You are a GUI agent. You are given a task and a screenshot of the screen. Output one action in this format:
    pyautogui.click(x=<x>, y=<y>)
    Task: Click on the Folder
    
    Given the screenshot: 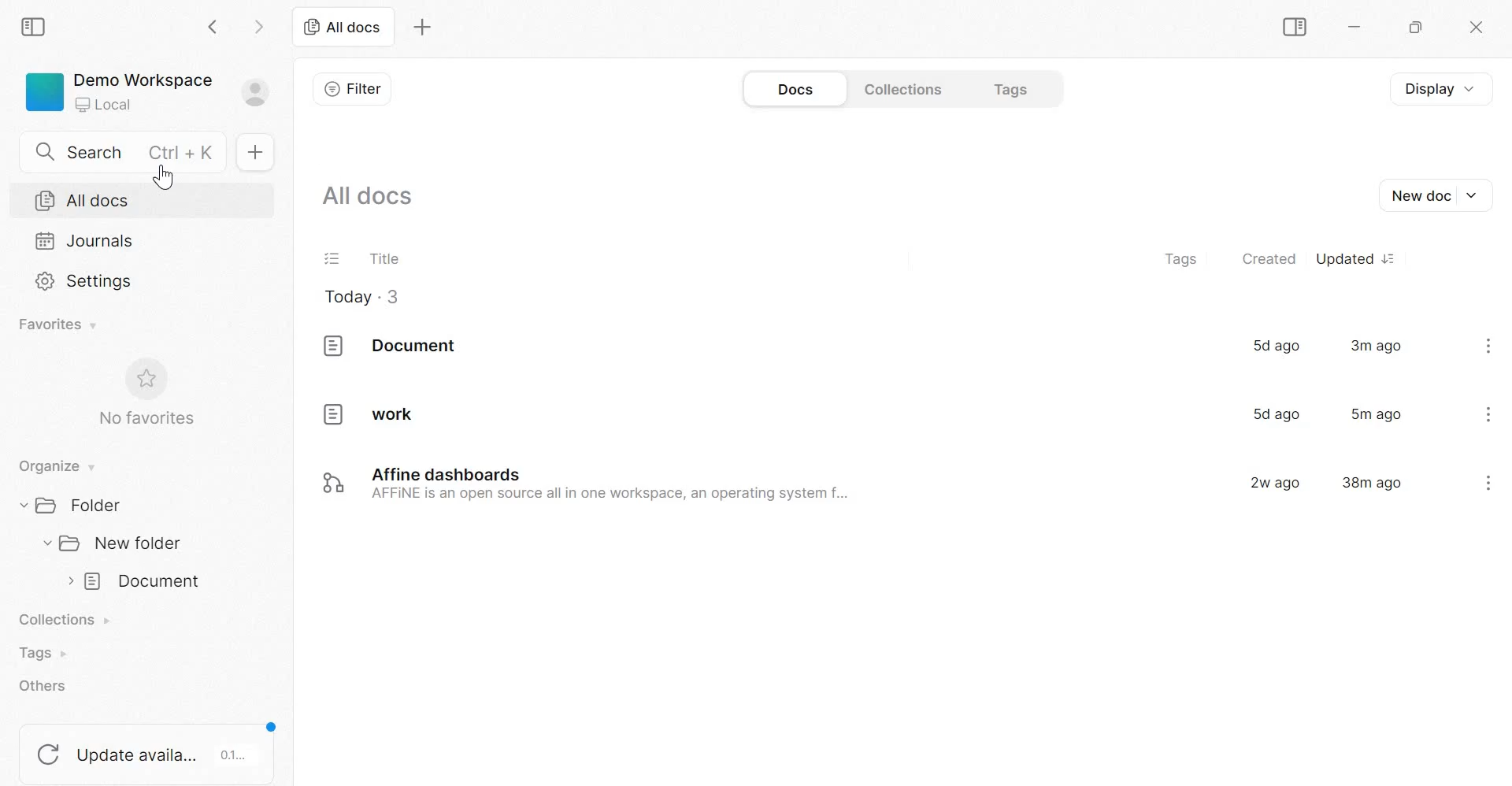 What is the action you would take?
    pyautogui.click(x=78, y=504)
    